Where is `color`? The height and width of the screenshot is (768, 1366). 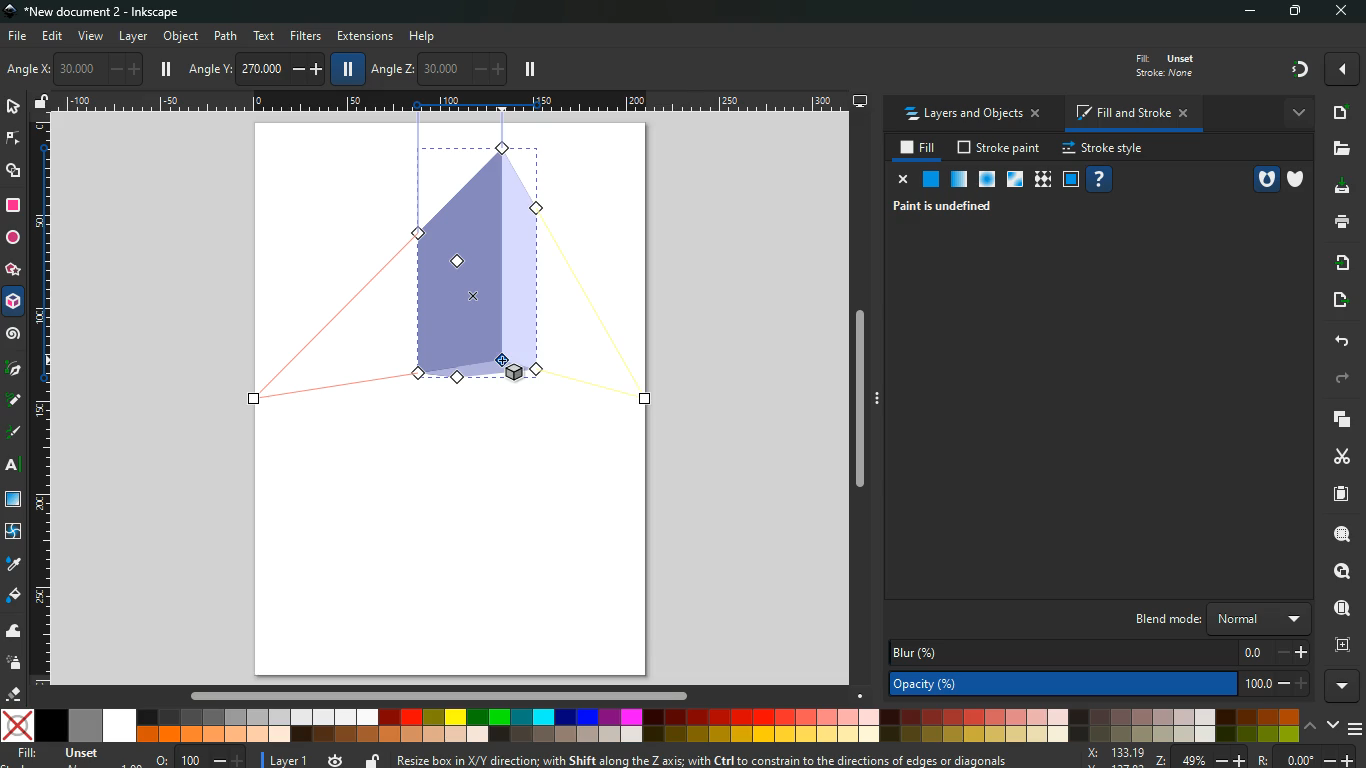 color is located at coordinates (651, 725).